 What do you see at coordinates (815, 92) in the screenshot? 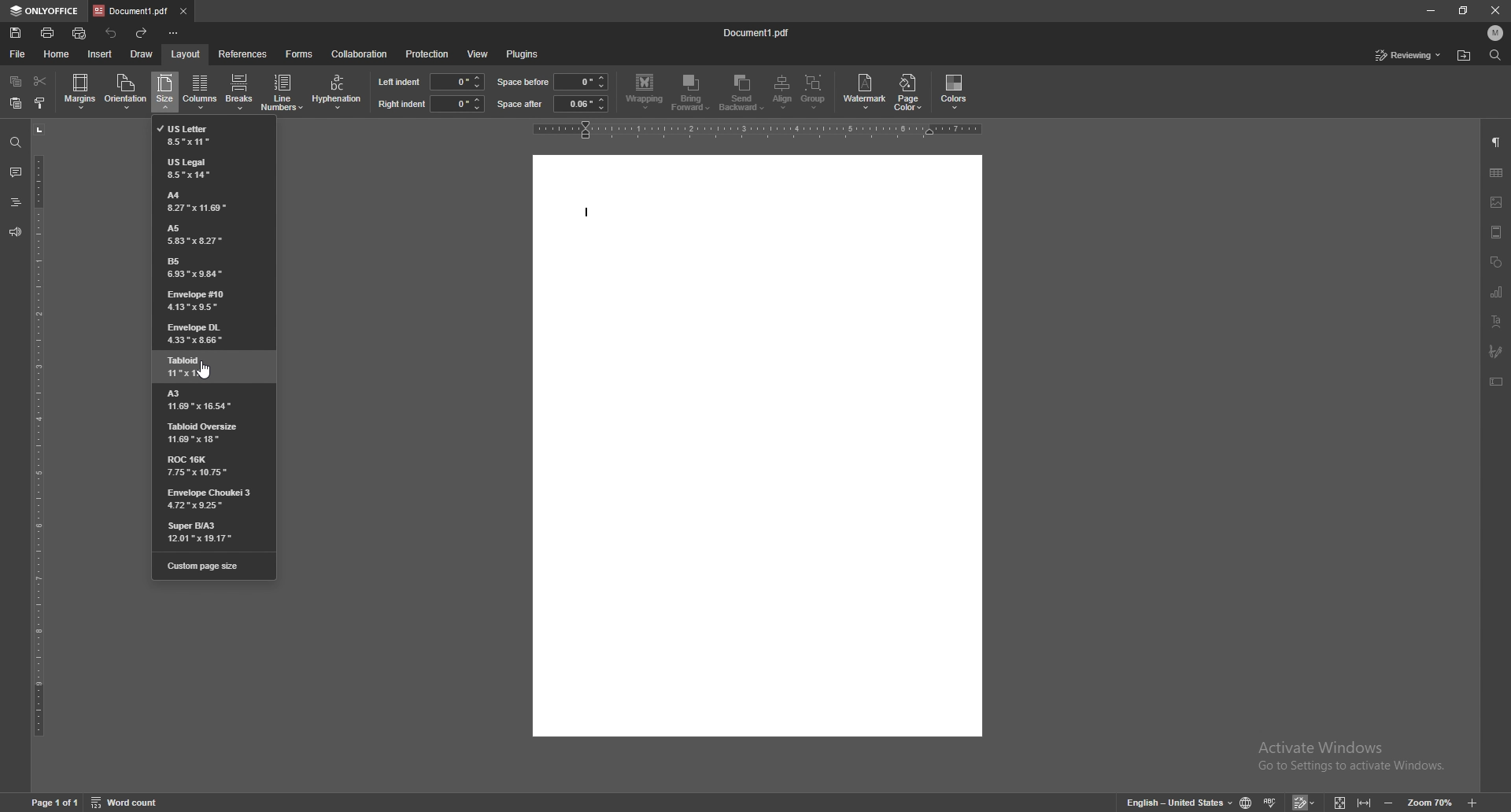
I see `group` at bounding box center [815, 92].